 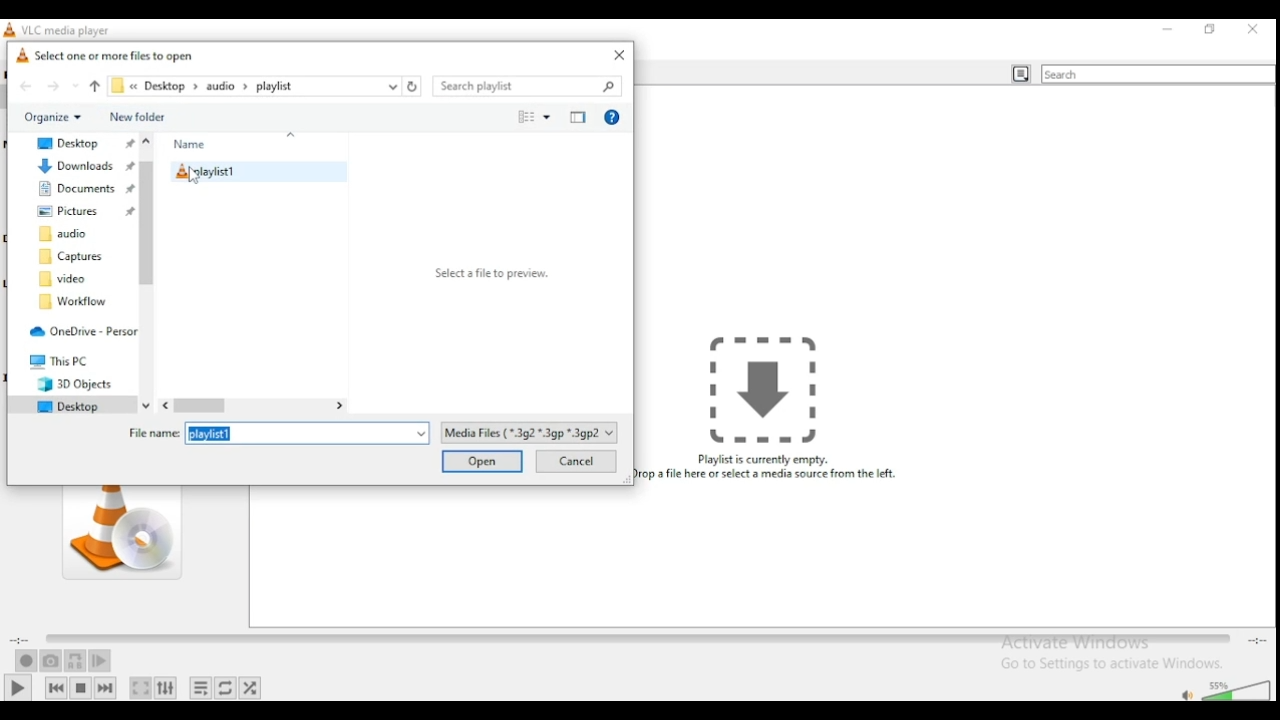 I want to click on select one or more files to open, so click(x=134, y=57).